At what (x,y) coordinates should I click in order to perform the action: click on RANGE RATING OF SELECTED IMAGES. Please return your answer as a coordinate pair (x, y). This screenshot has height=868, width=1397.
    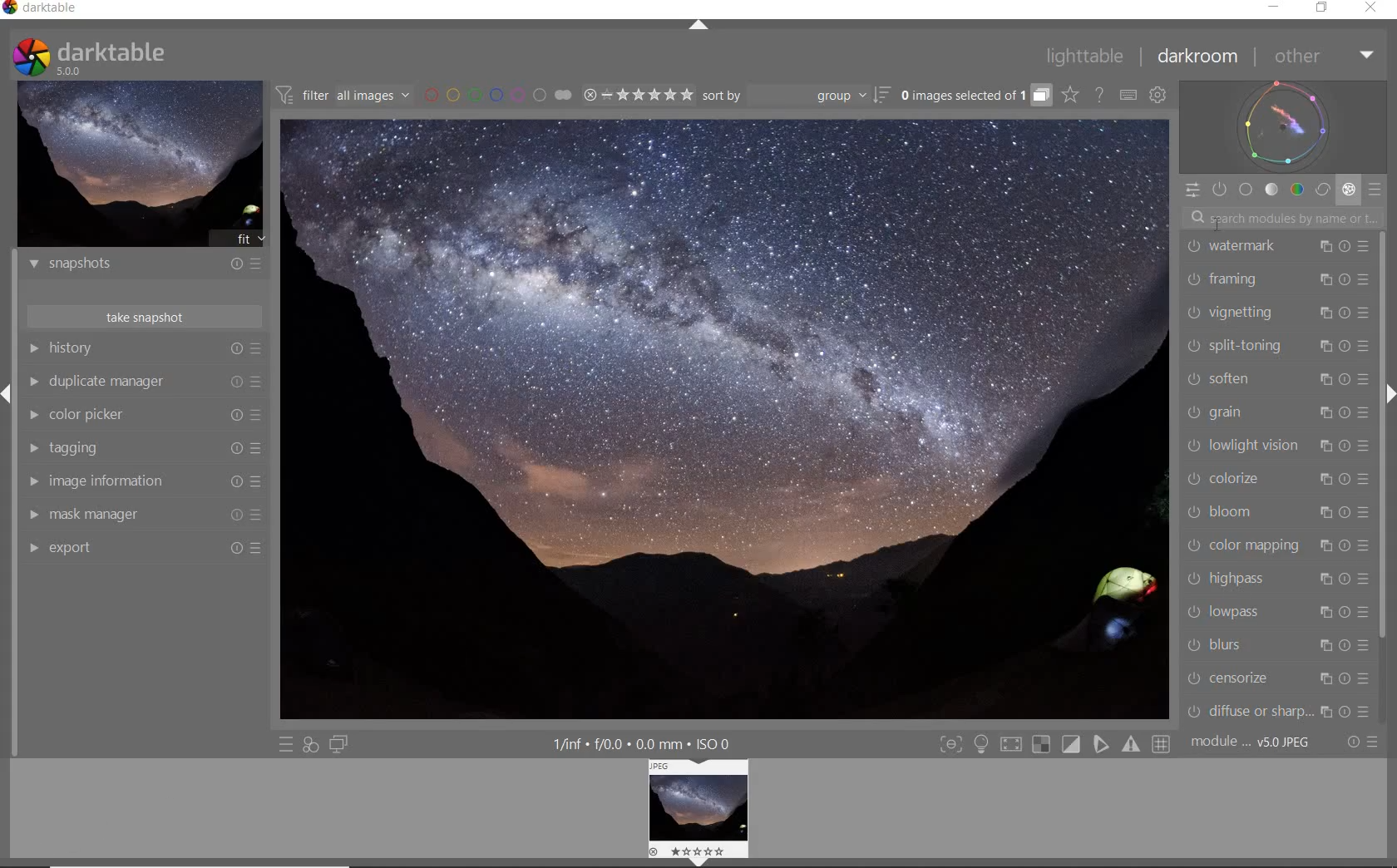
    Looking at the image, I should click on (637, 96).